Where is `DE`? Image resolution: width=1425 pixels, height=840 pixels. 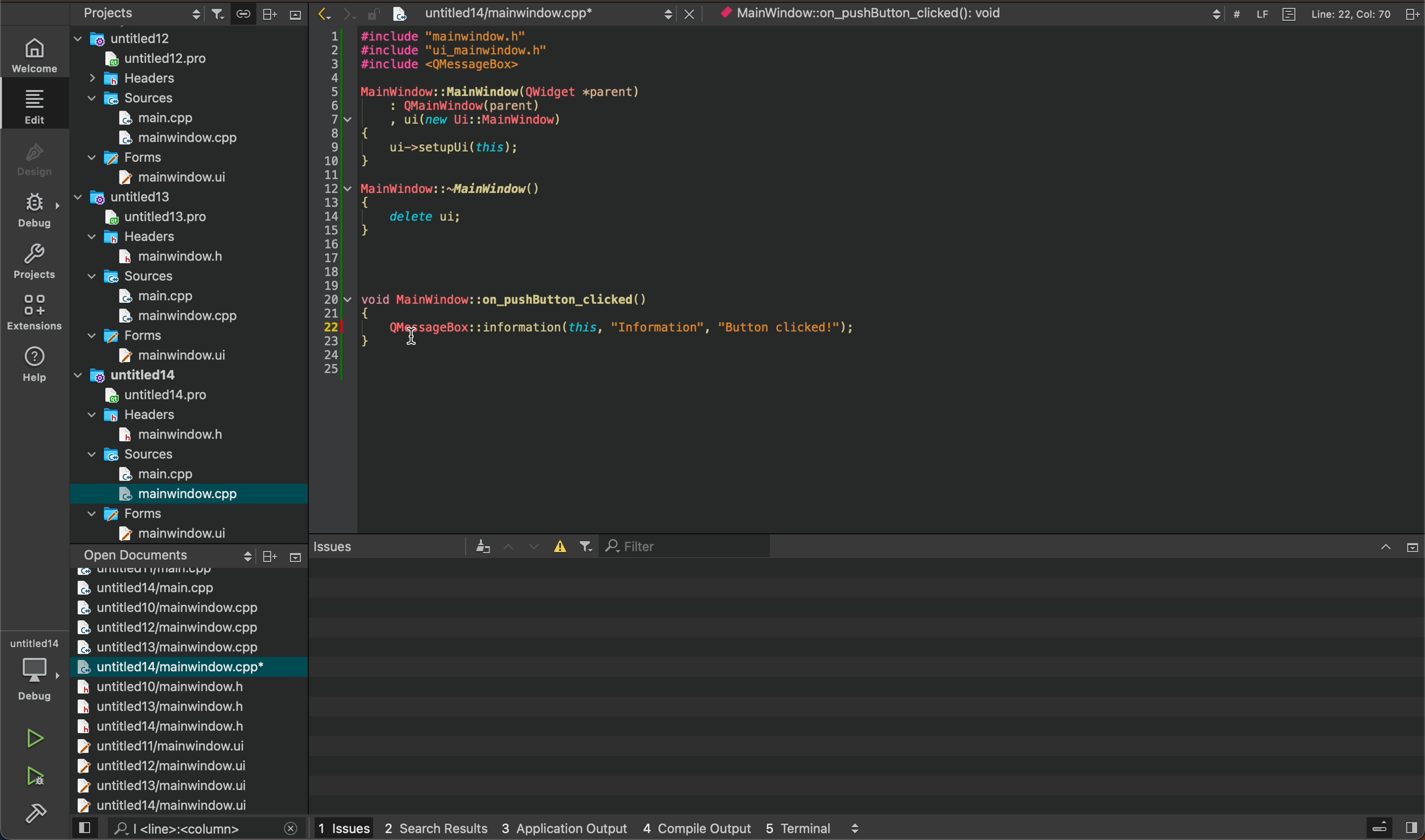
DE is located at coordinates (32, 212).